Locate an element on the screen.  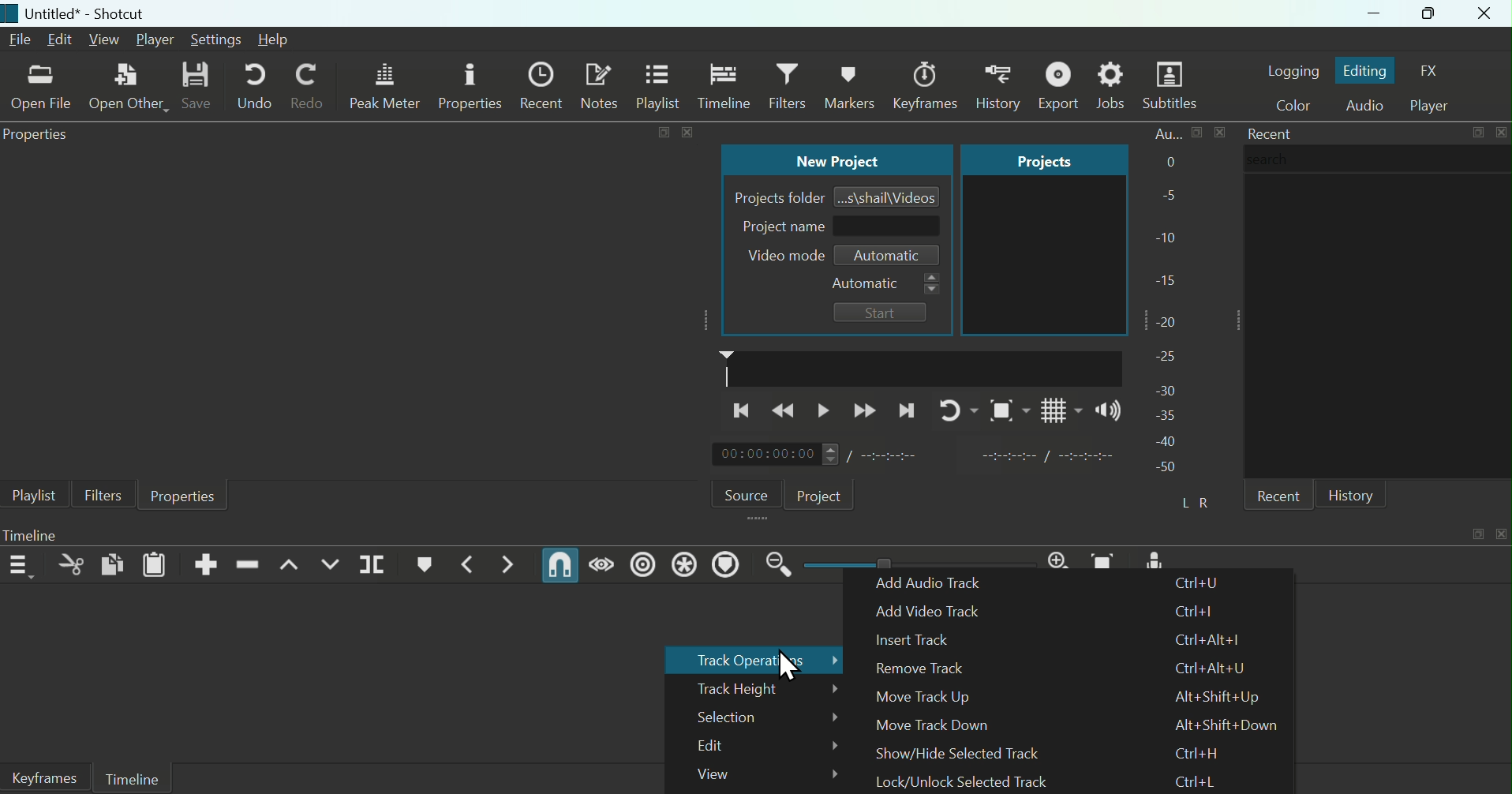
Zoom scroller is located at coordinates (915, 562).